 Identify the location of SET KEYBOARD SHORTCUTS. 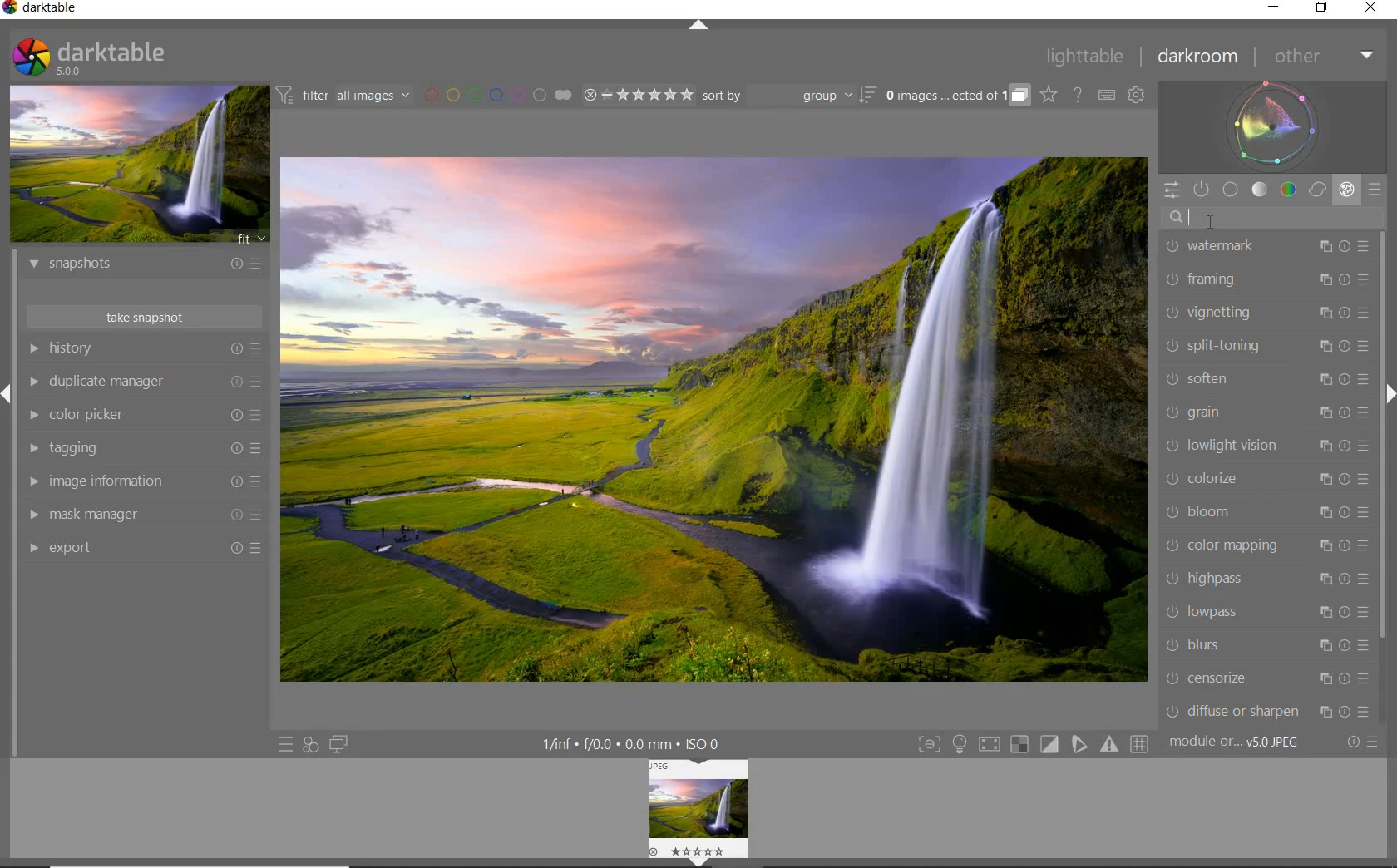
(1108, 96).